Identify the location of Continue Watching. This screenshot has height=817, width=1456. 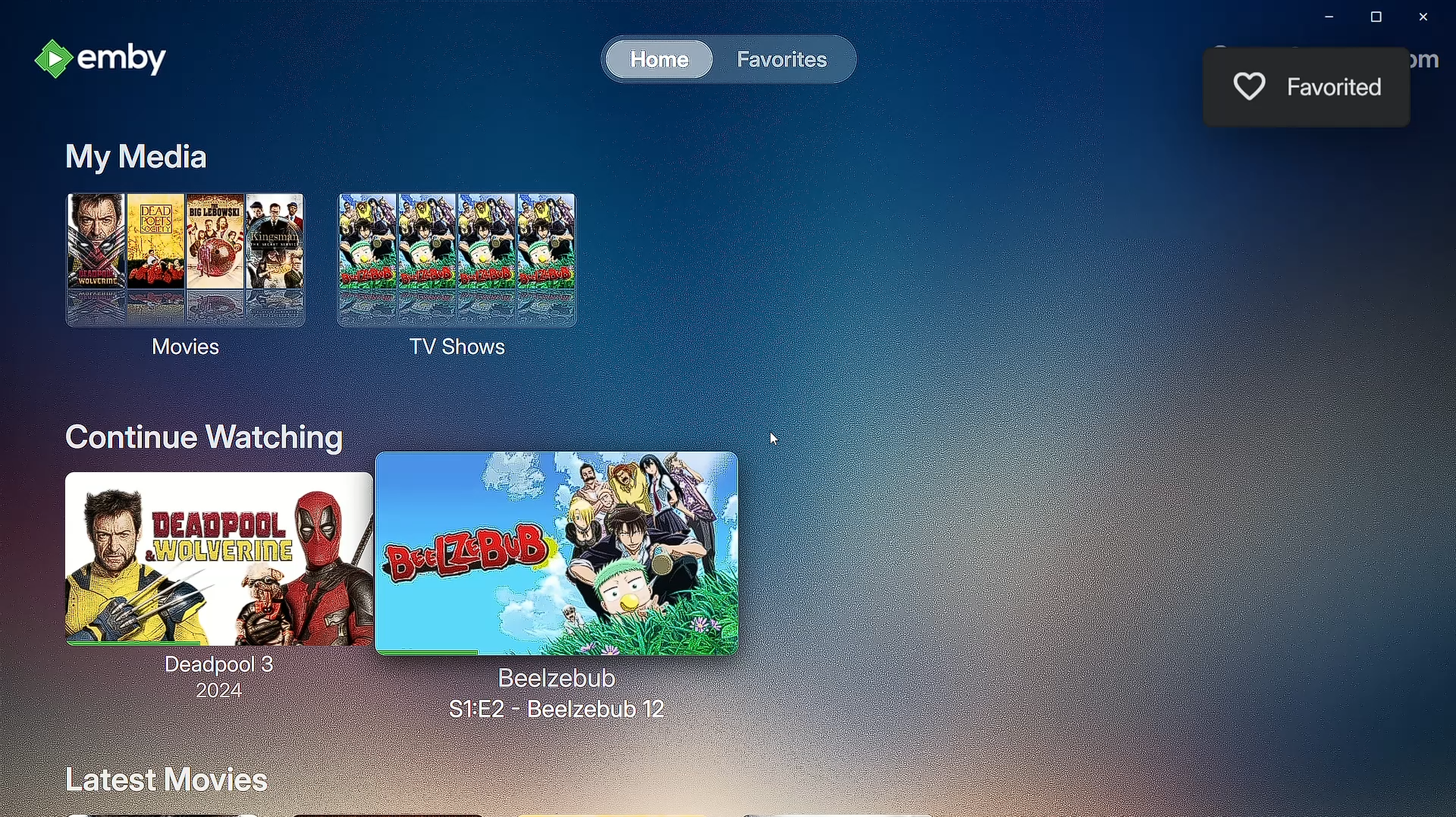
(208, 439).